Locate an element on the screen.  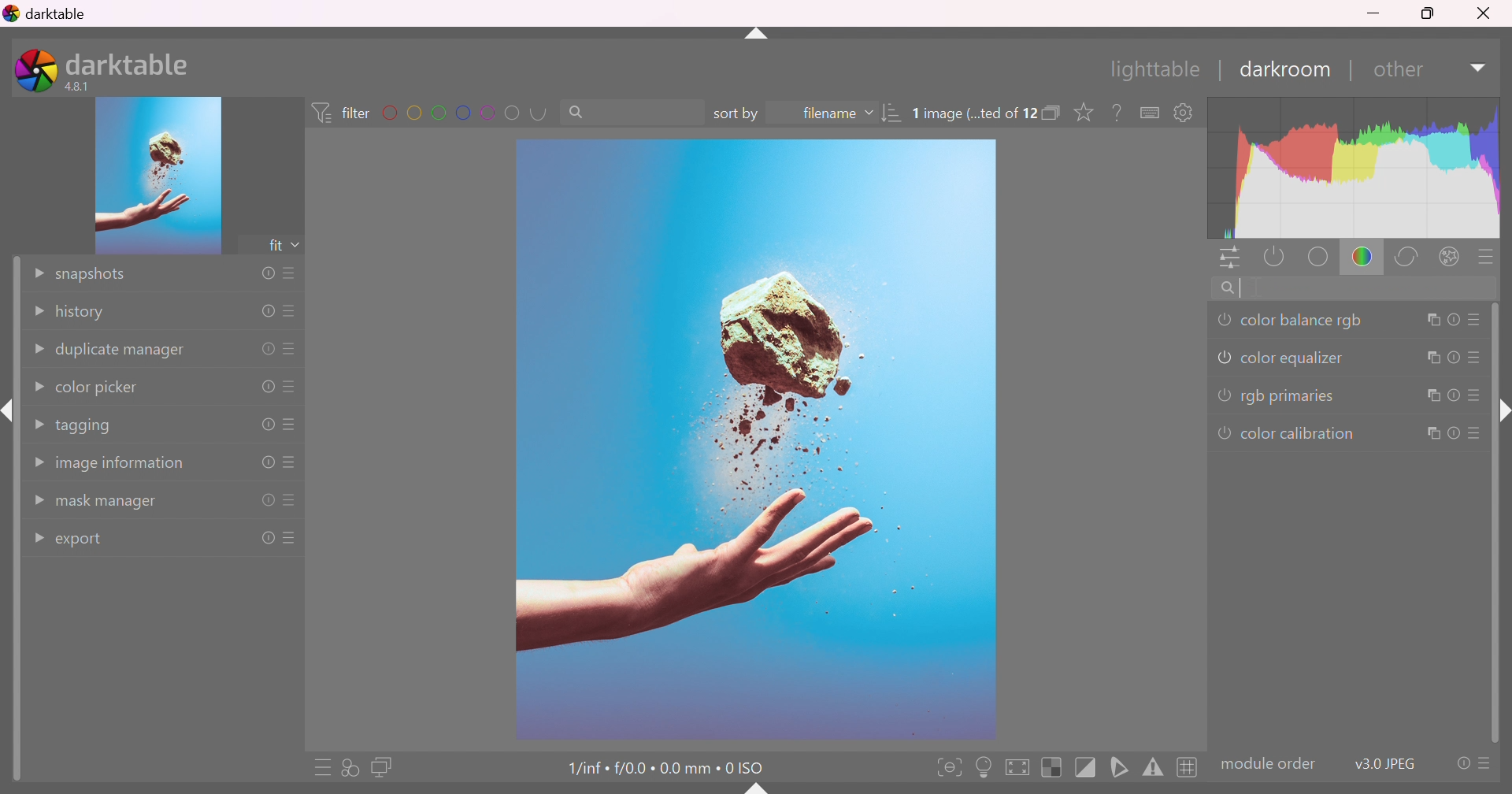
presets is located at coordinates (292, 540).